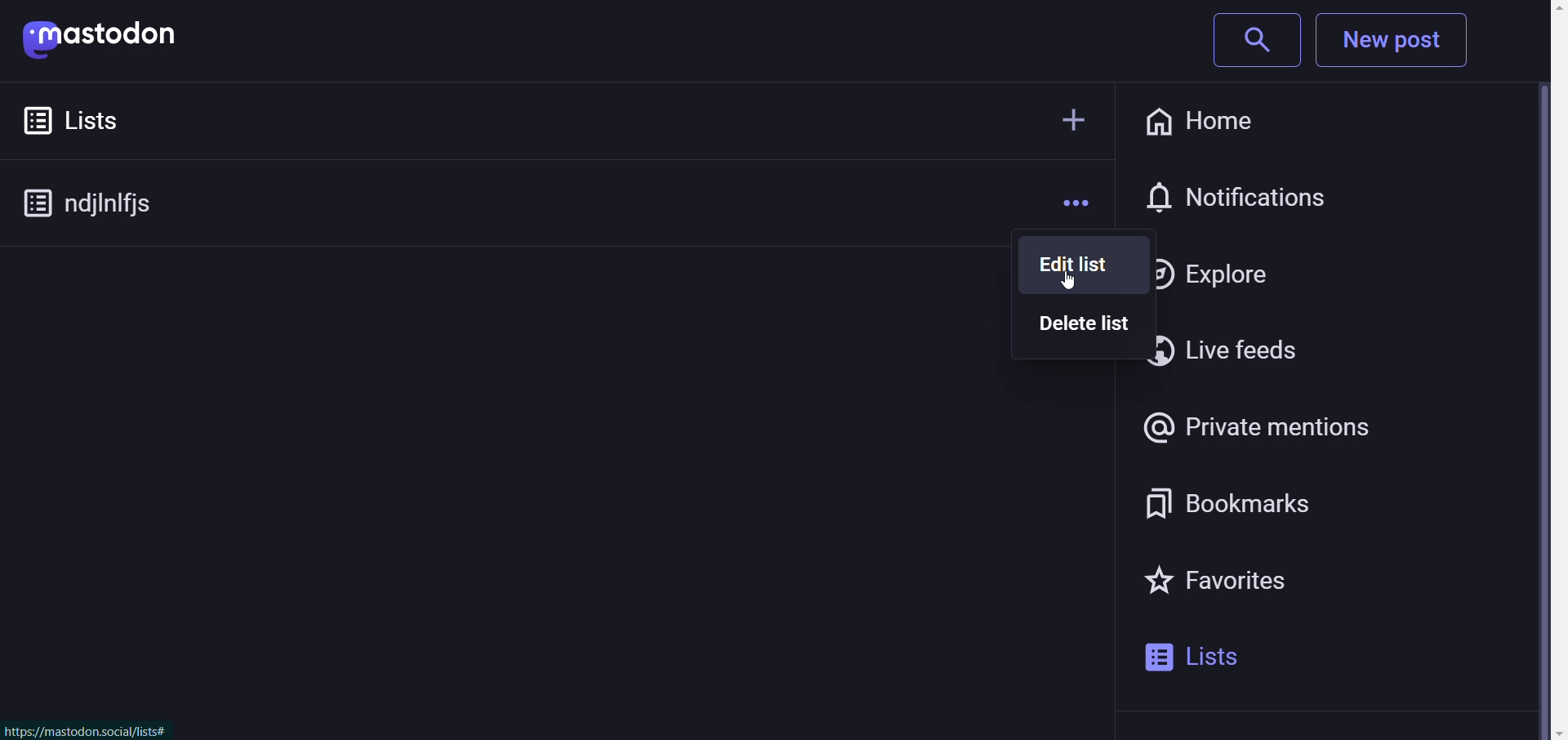 This screenshot has height=740, width=1568. Describe the element at coordinates (1547, 732) in the screenshot. I see `scroll down` at that location.